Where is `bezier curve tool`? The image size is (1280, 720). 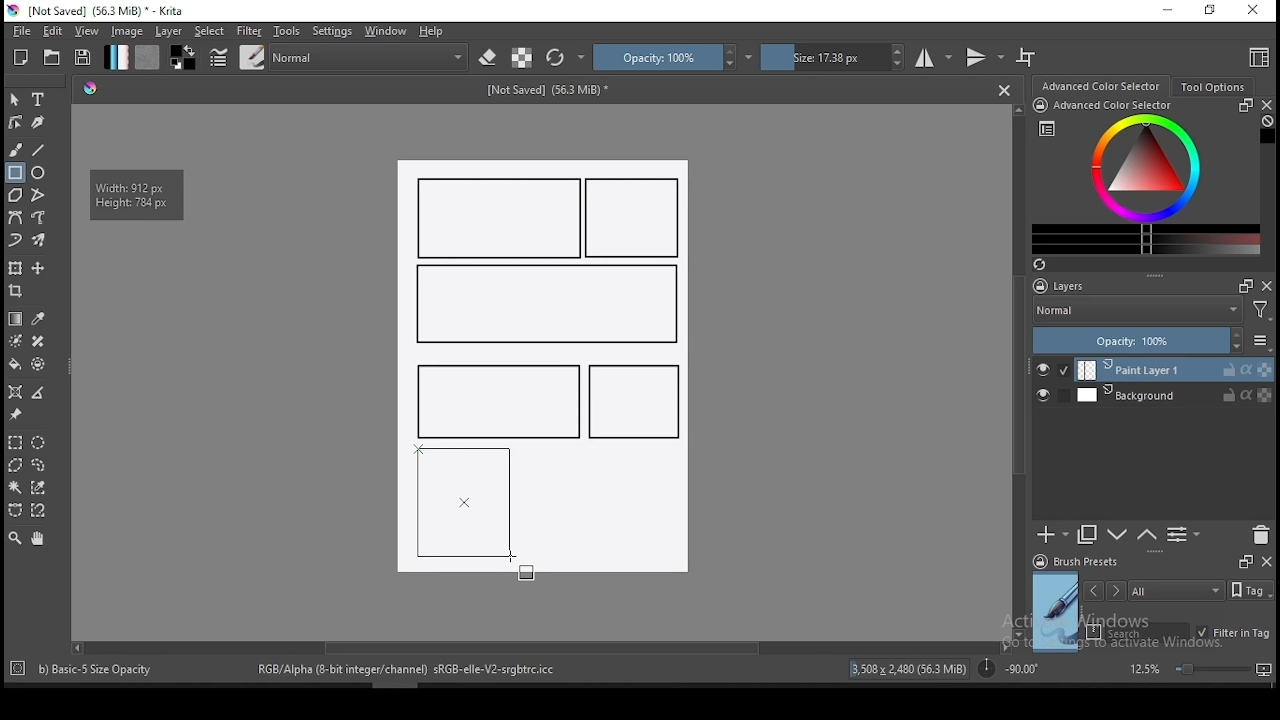 bezier curve tool is located at coordinates (14, 219).